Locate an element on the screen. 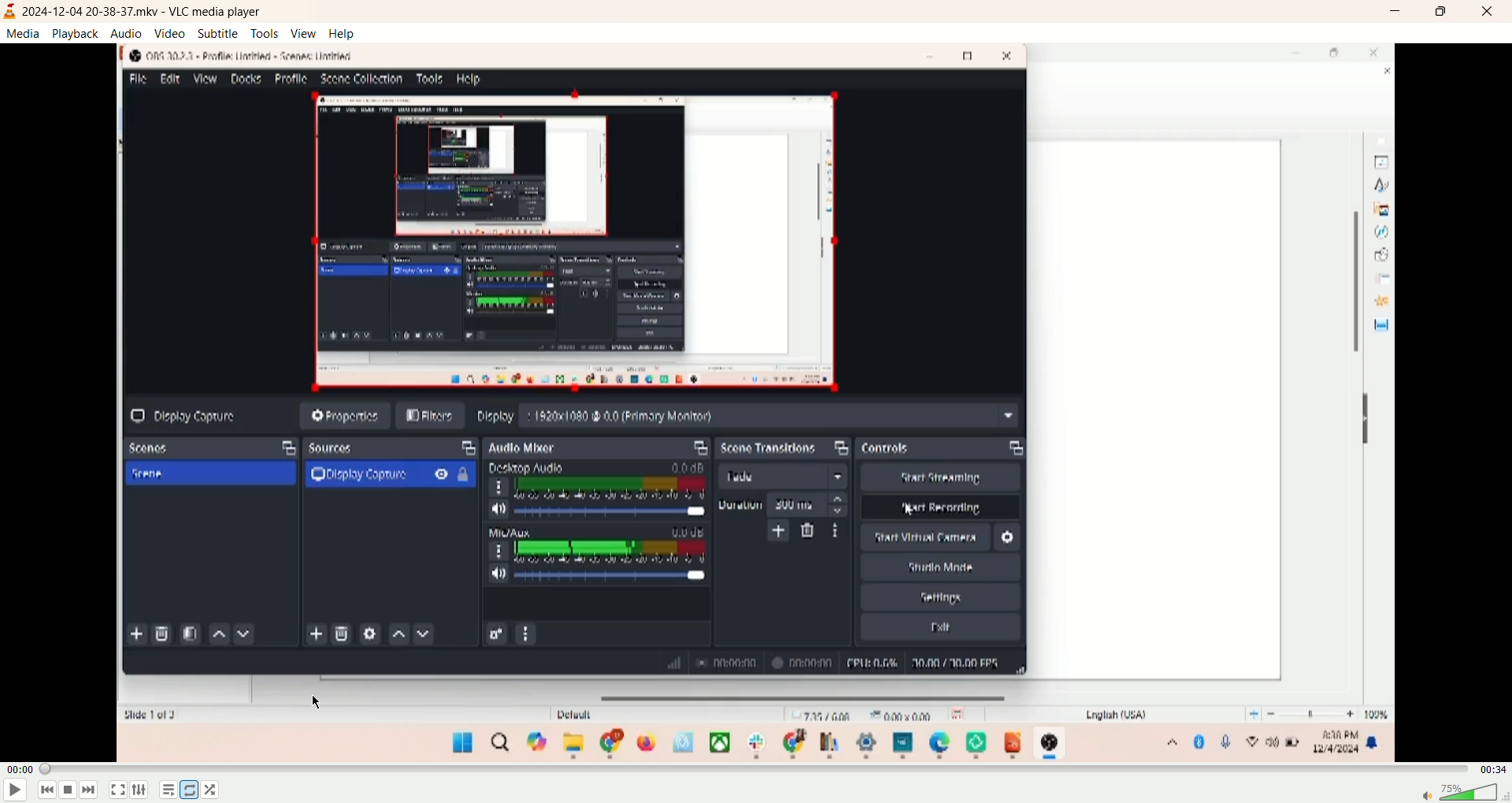 The height and width of the screenshot is (803, 1512). play is located at coordinates (16, 787).